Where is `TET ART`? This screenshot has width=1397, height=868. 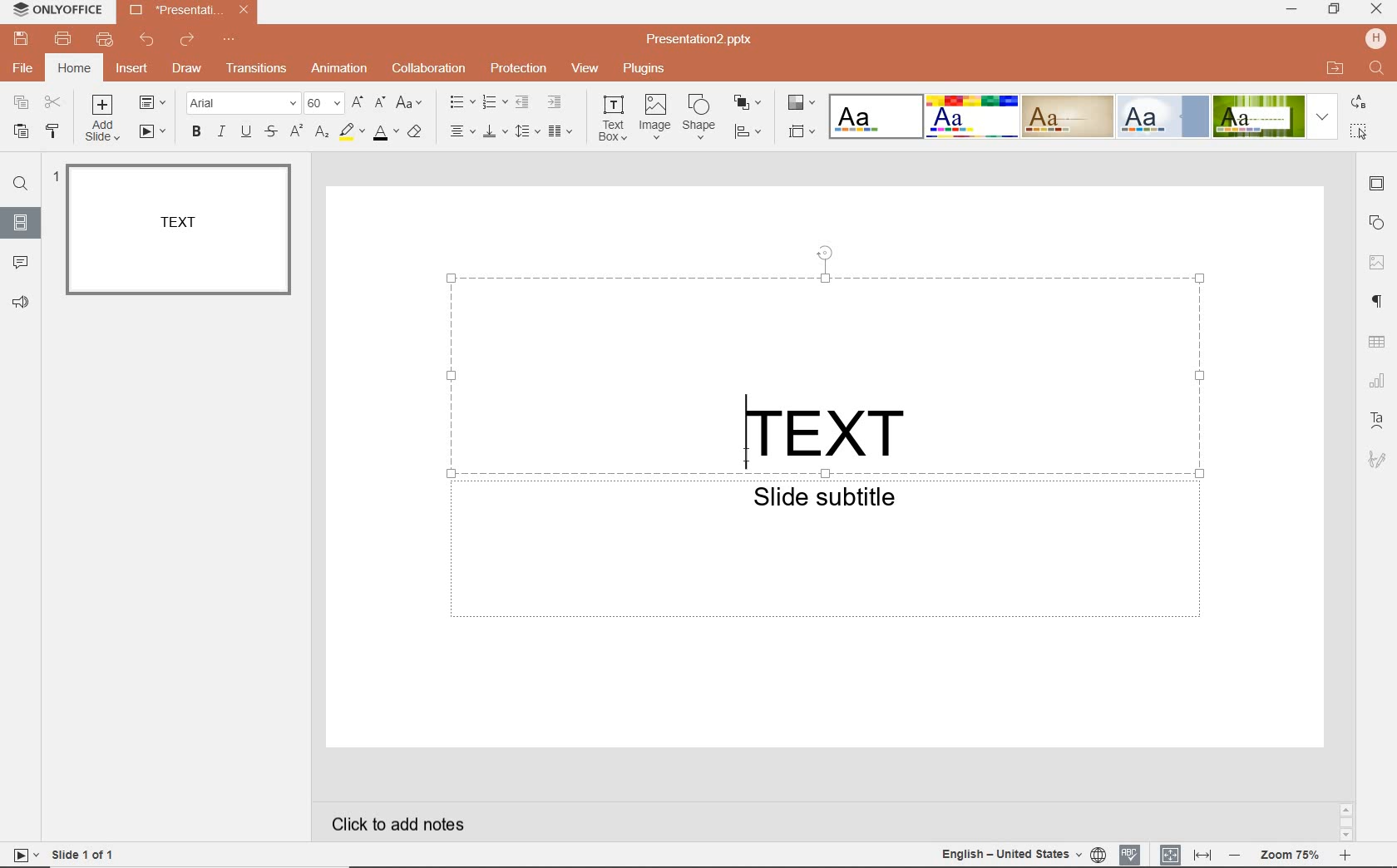 TET ART is located at coordinates (1376, 418).